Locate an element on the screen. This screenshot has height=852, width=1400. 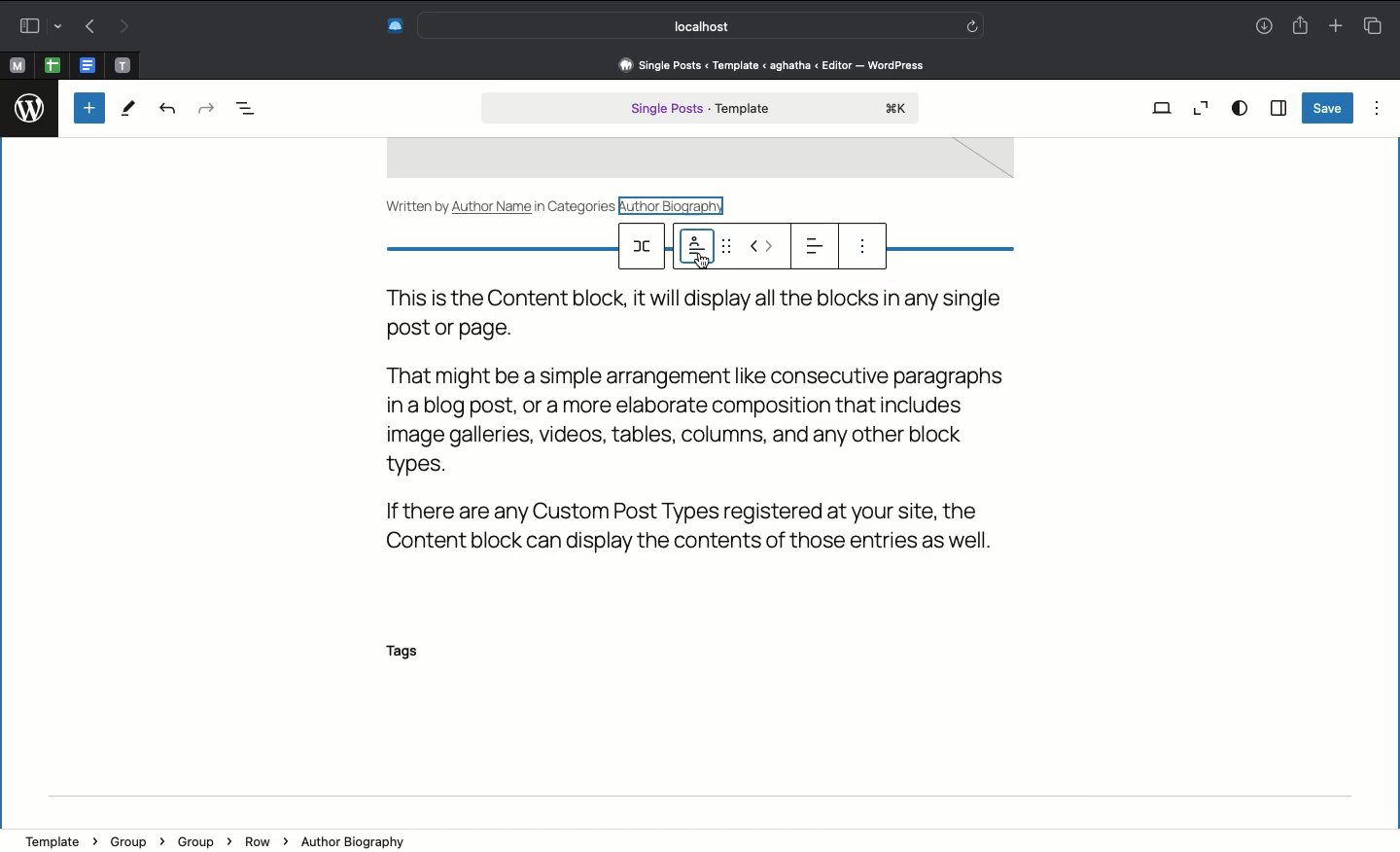
Row is located at coordinates (264, 841).